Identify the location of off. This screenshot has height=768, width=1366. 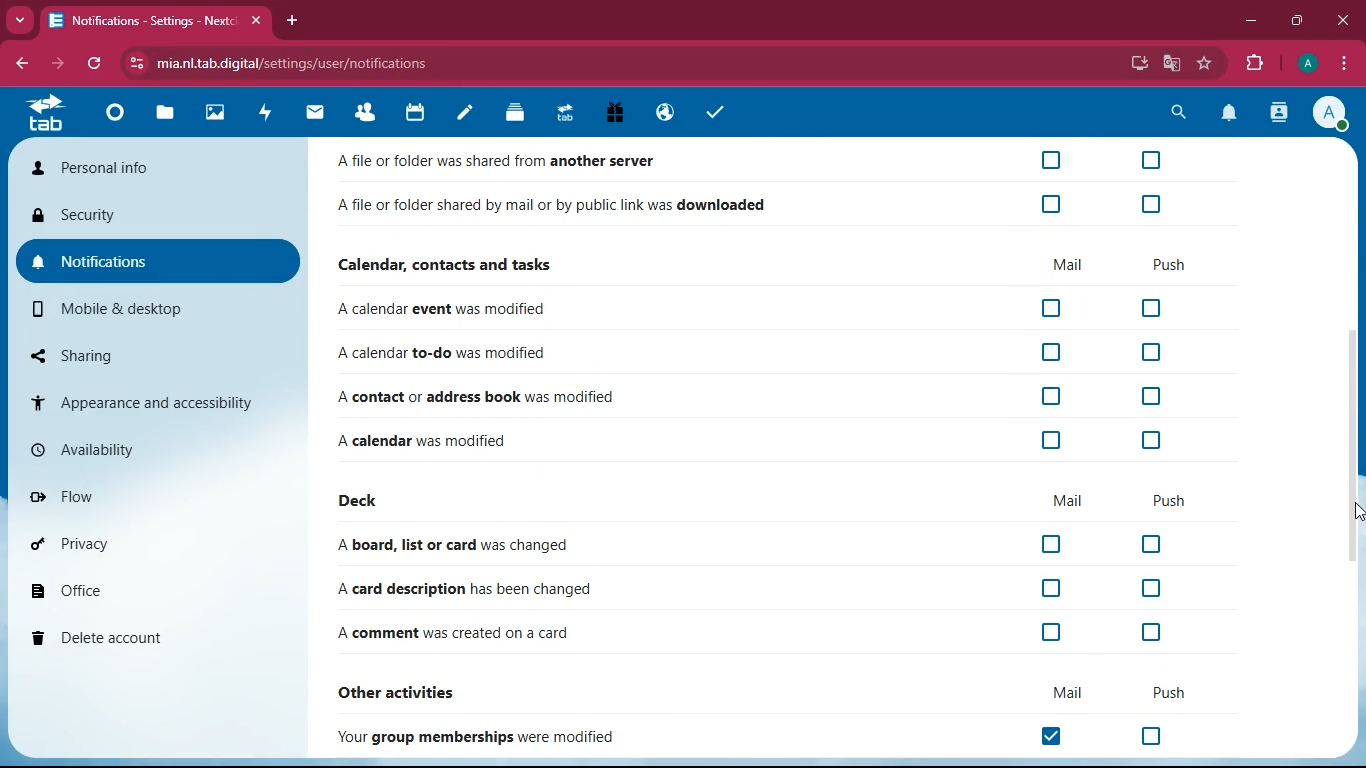
(1050, 351).